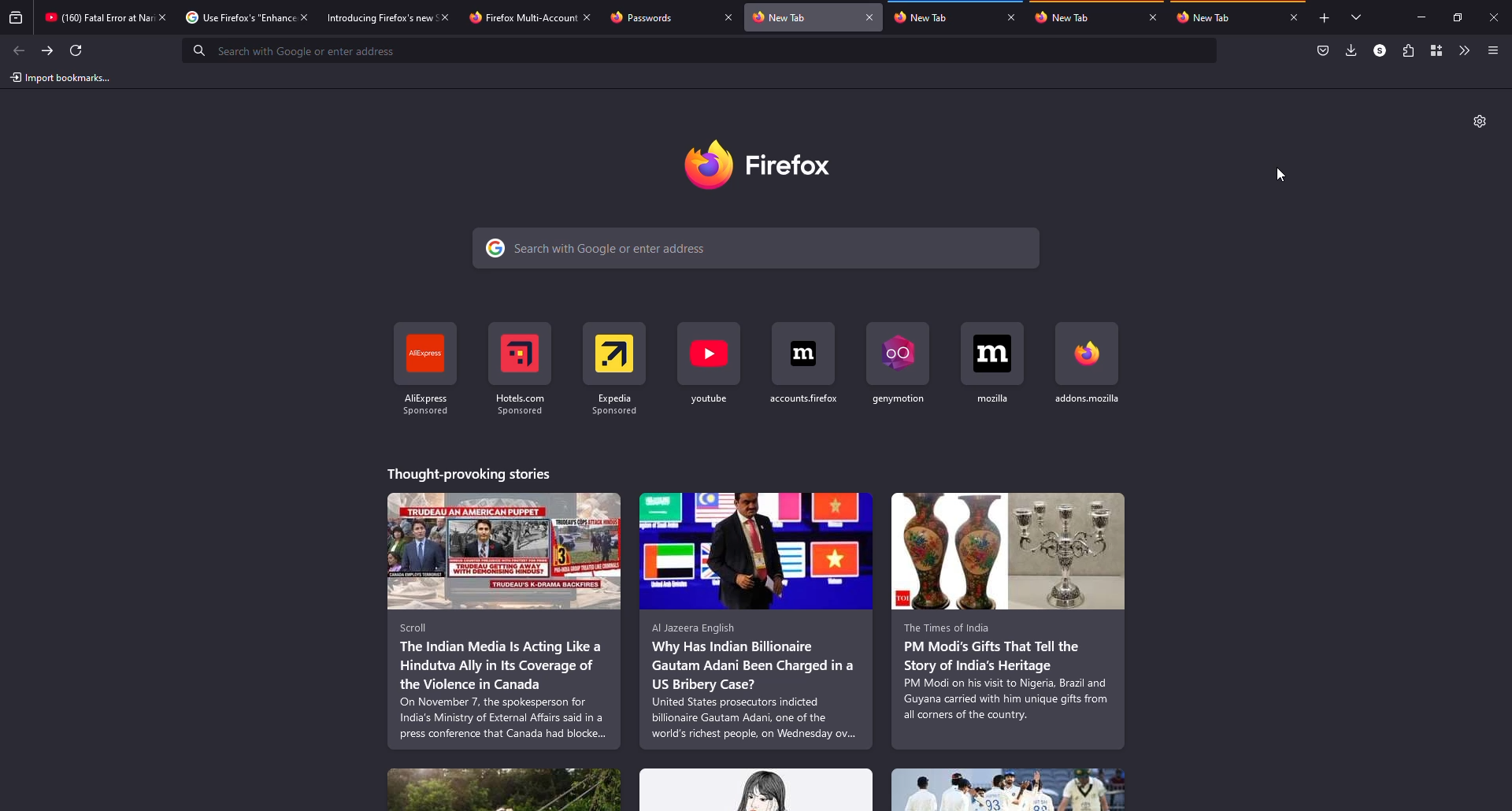 The width and height of the screenshot is (1512, 811). What do you see at coordinates (1437, 50) in the screenshot?
I see `container` at bounding box center [1437, 50].